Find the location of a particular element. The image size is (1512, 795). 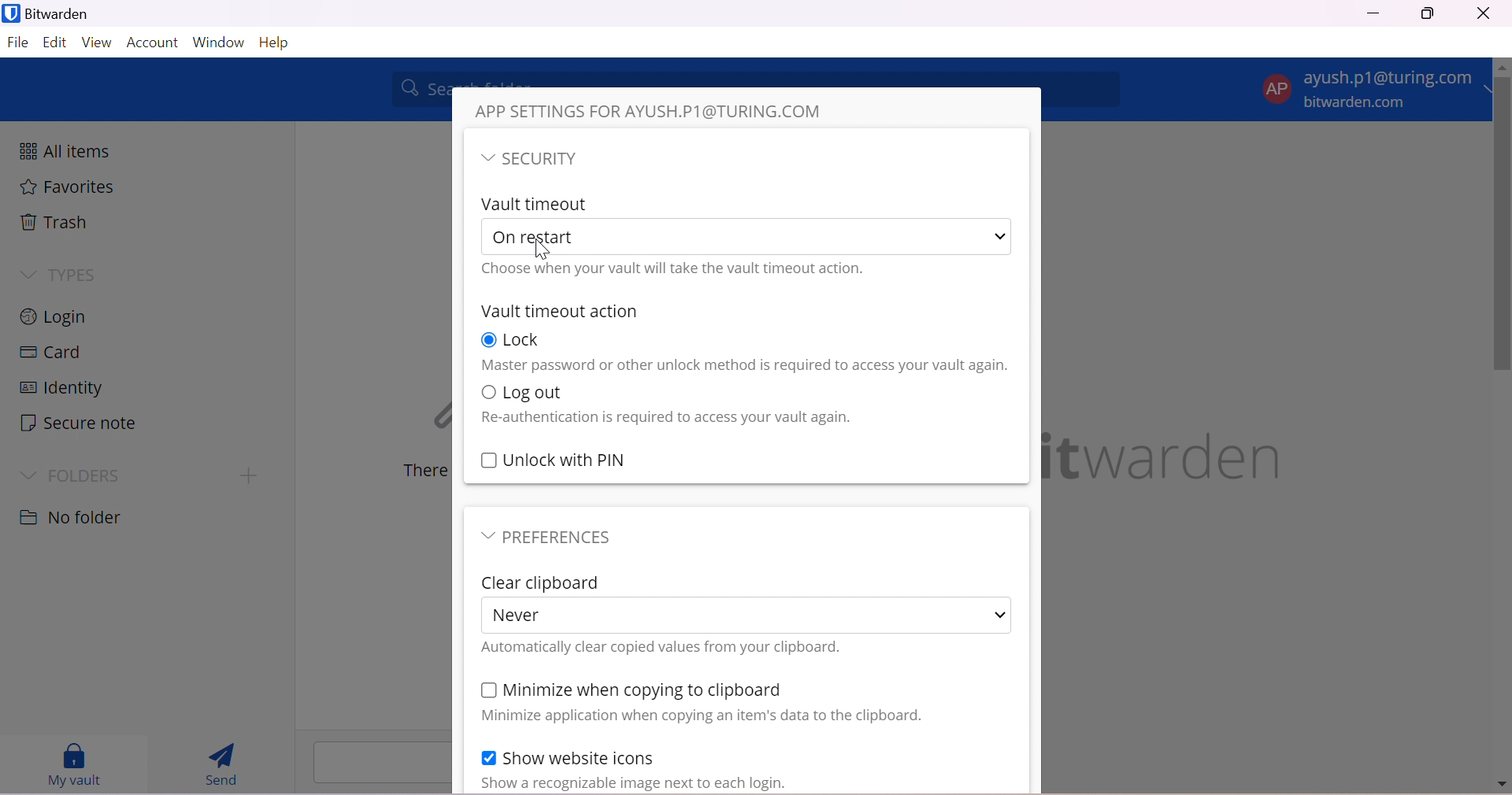

Close is located at coordinates (1483, 13).